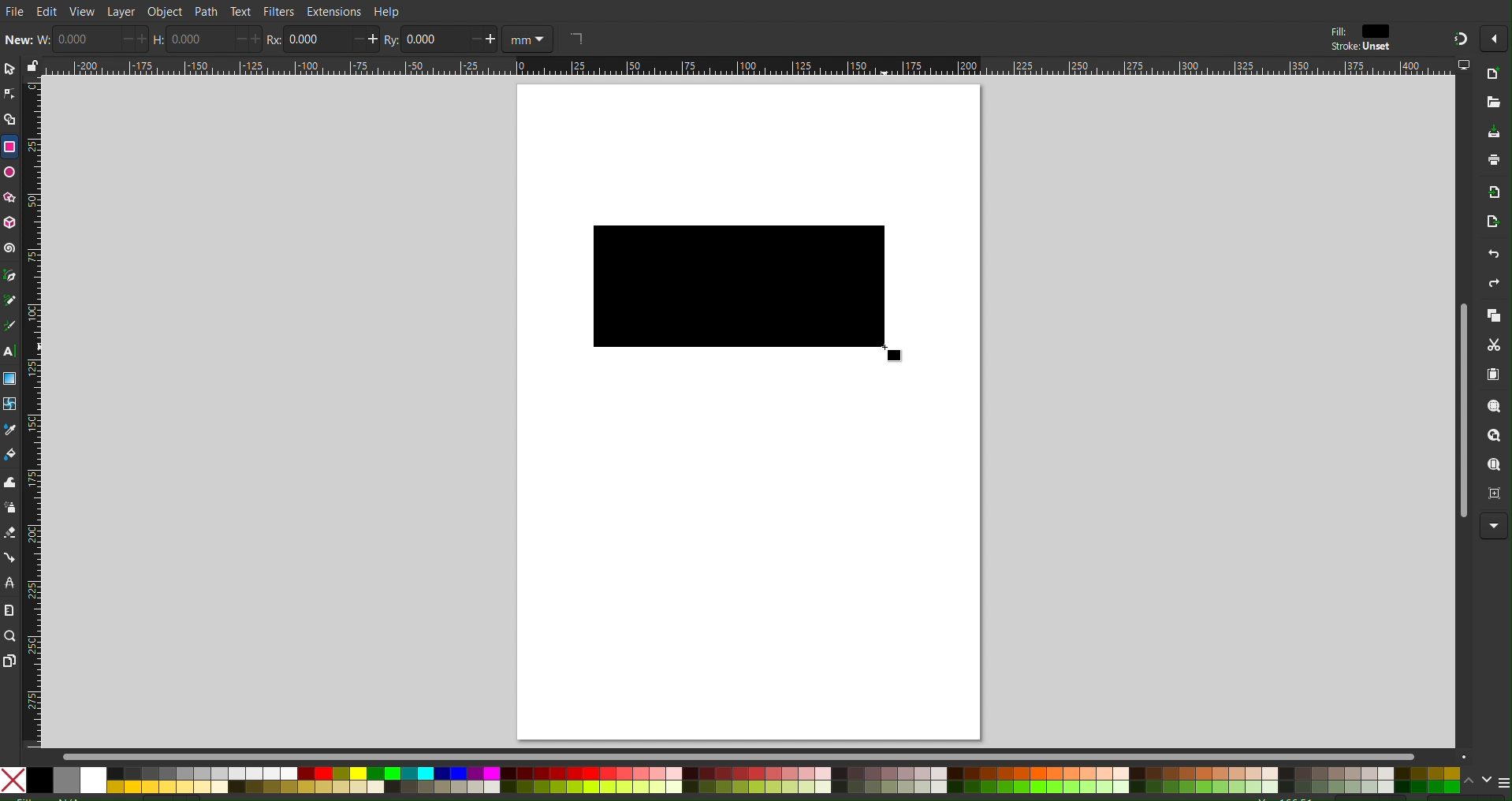 The image size is (1512, 801). Describe the element at coordinates (9, 274) in the screenshot. I see `Pen Tool` at that location.